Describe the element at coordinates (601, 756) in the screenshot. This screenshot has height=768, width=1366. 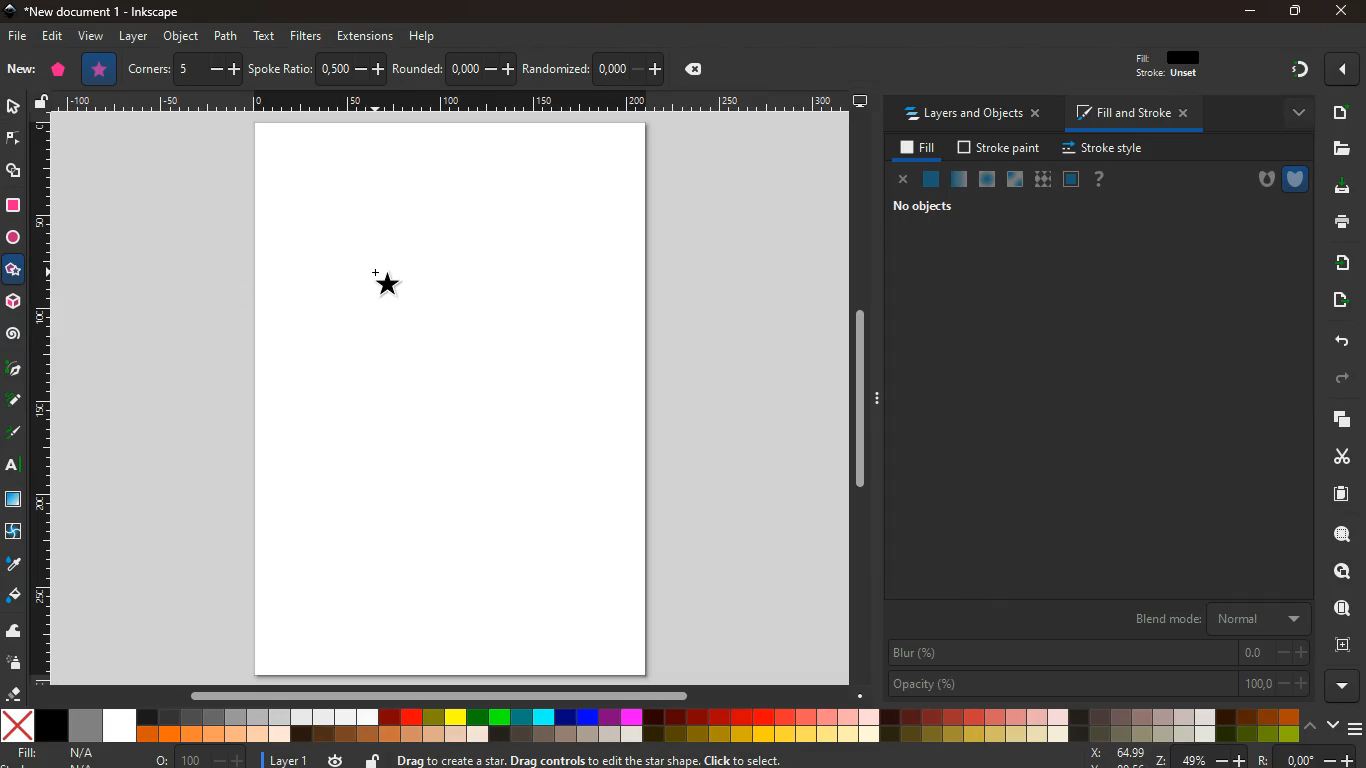
I see `Drag to create a star. Drag controls to edit the star shape. Click to select.` at that location.